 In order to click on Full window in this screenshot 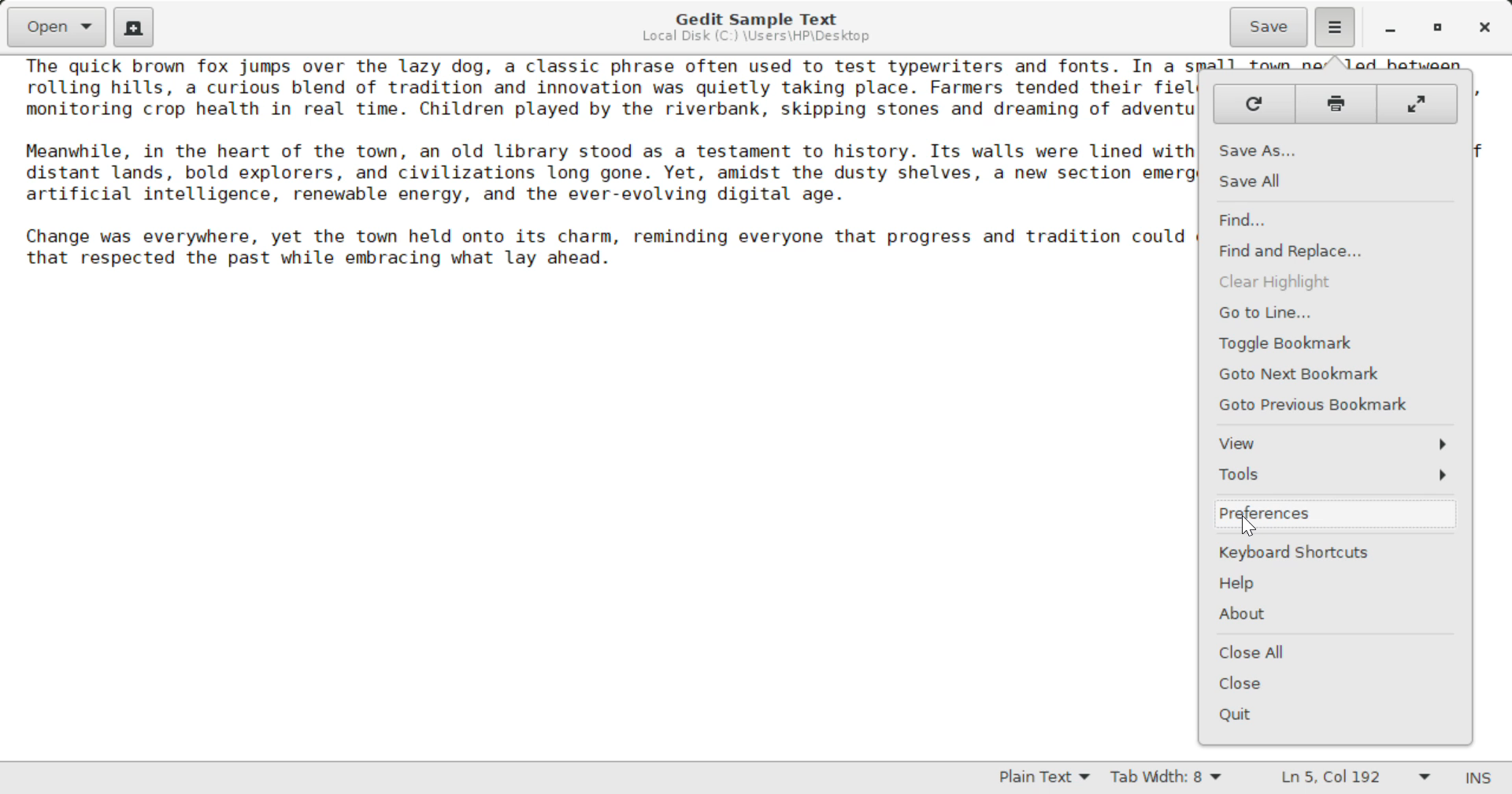, I will do `click(1420, 105)`.